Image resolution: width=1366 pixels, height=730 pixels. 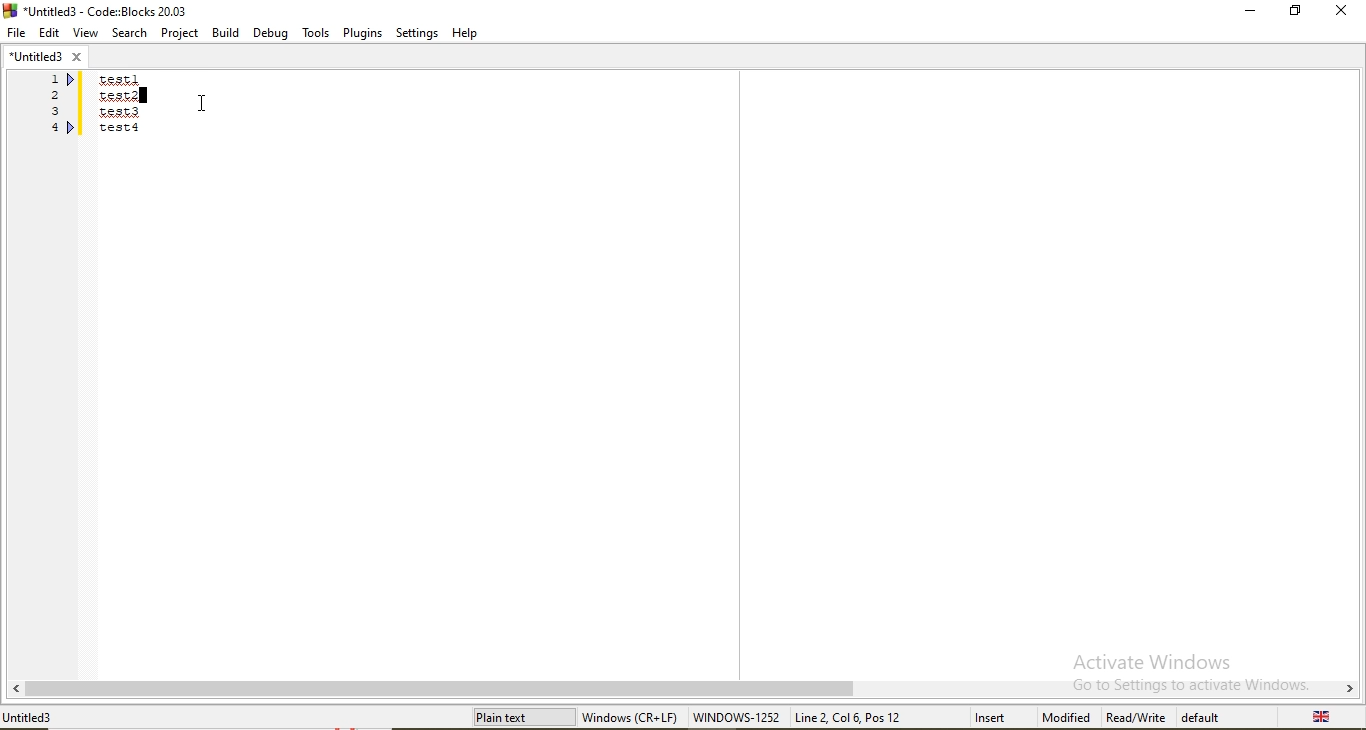 What do you see at coordinates (52, 103) in the screenshot?
I see `serial numbers 1,2,3,4` at bounding box center [52, 103].